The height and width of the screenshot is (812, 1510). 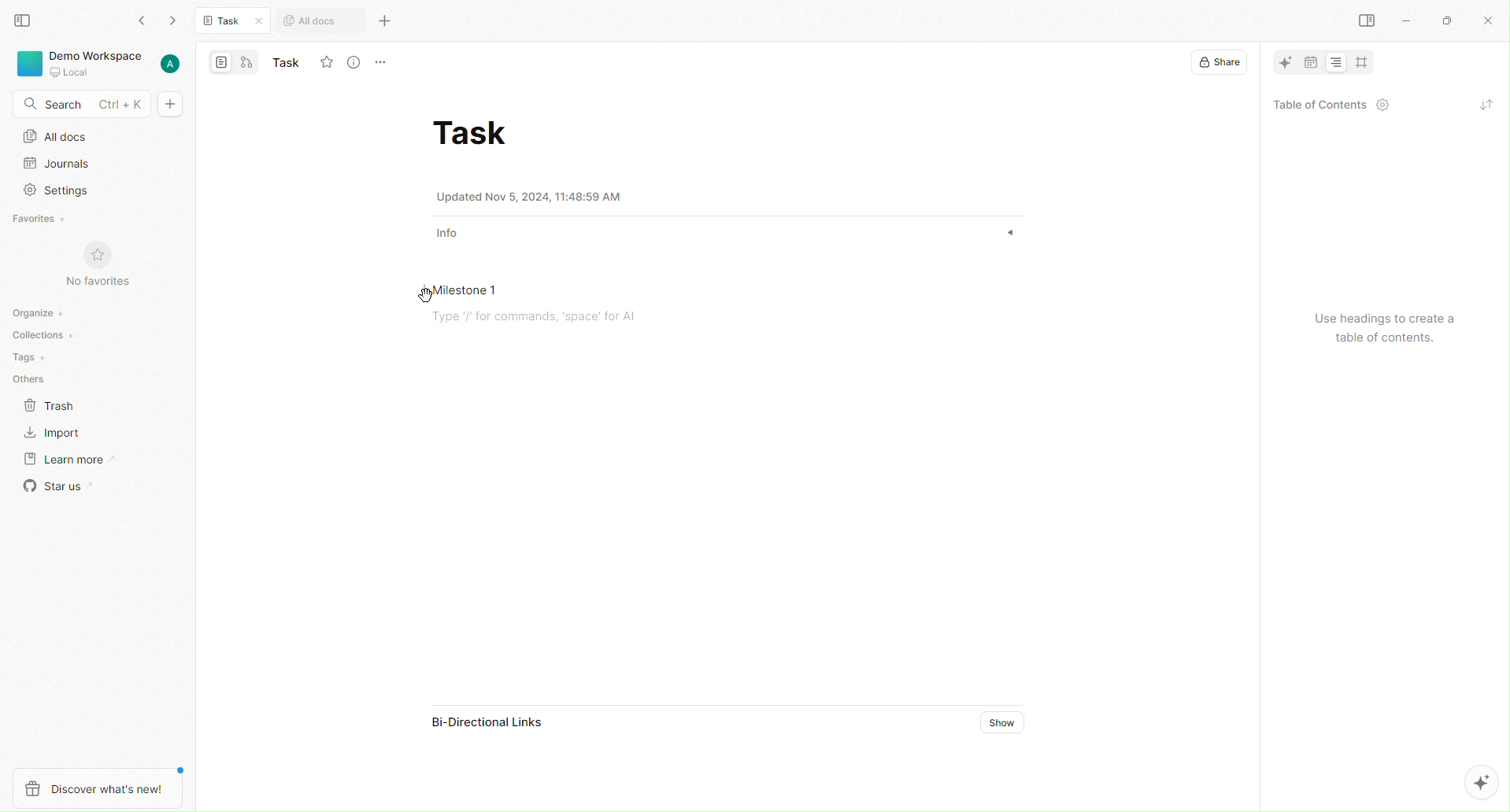 What do you see at coordinates (488, 723) in the screenshot?
I see `Bi-Directional Links` at bounding box center [488, 723].